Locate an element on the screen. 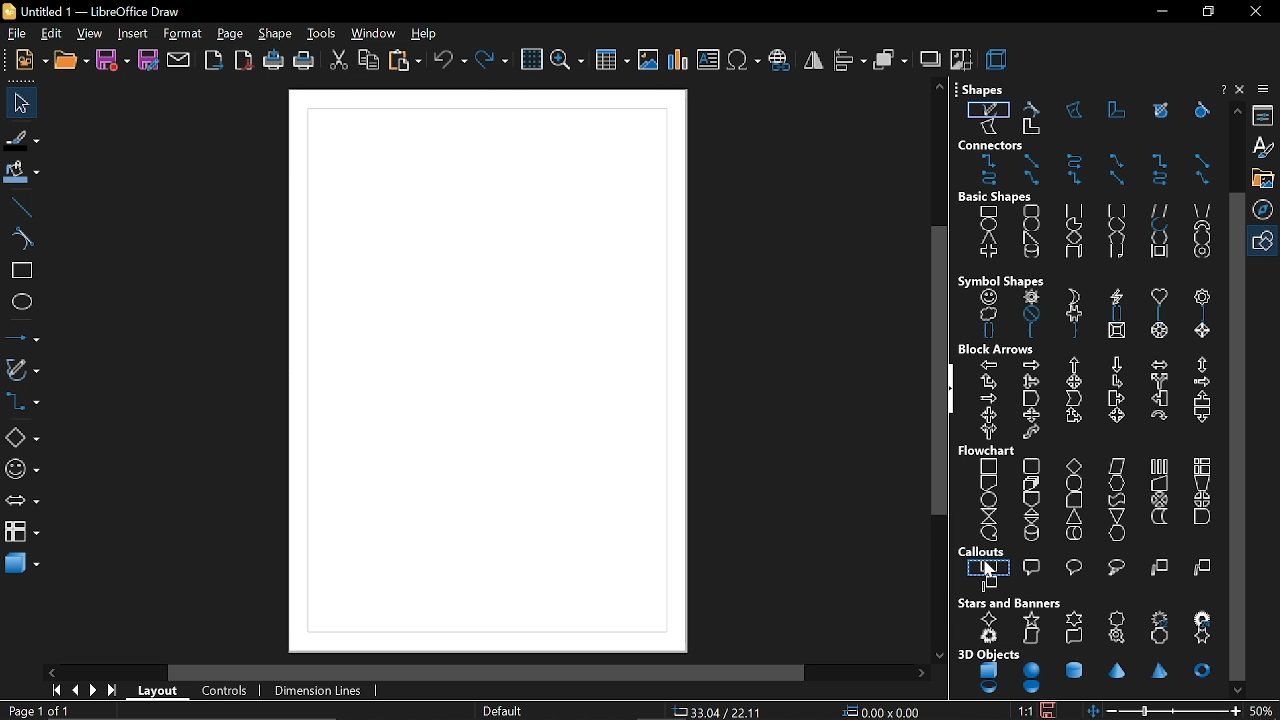 The height and width of the screenshot is (720, 1280). down arrow callout is located at coordinates (1200, 421).